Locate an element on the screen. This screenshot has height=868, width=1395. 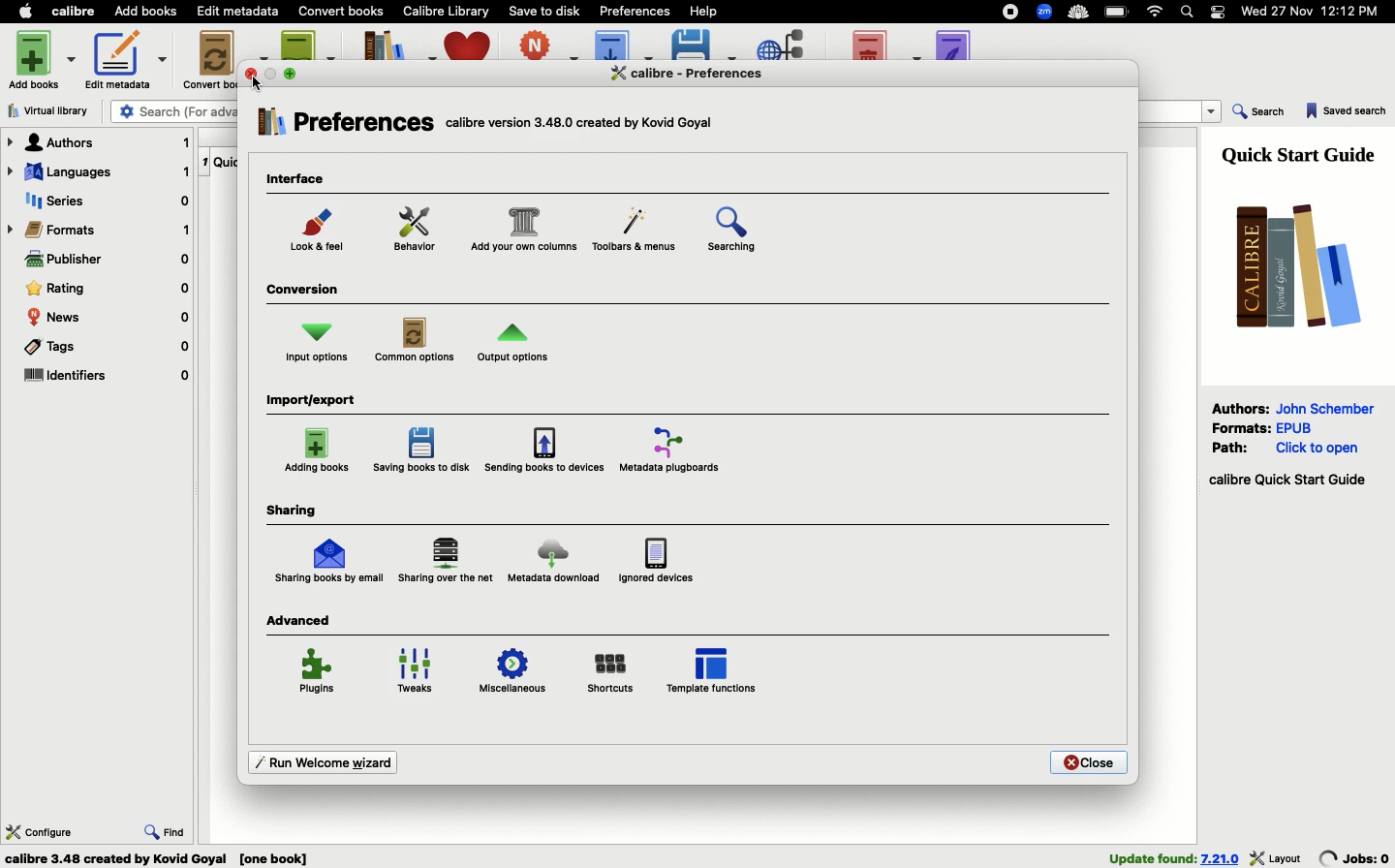
Formats is located at coordinates (1242, 426).